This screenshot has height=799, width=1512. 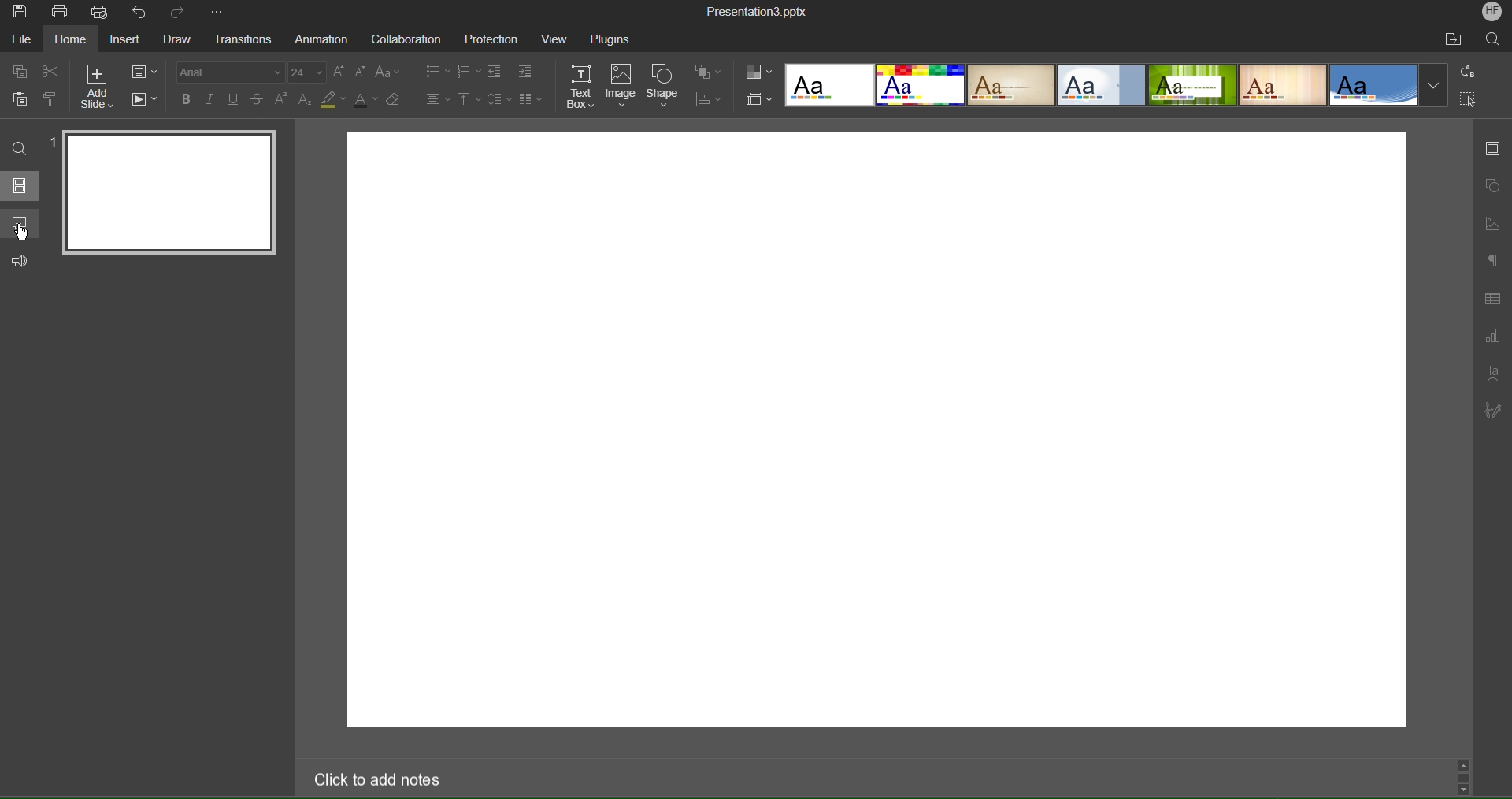 What do you see at coordinates (1469, 100) in the screenshot?
I see `Select All ` at bounding box center [1469, 100].